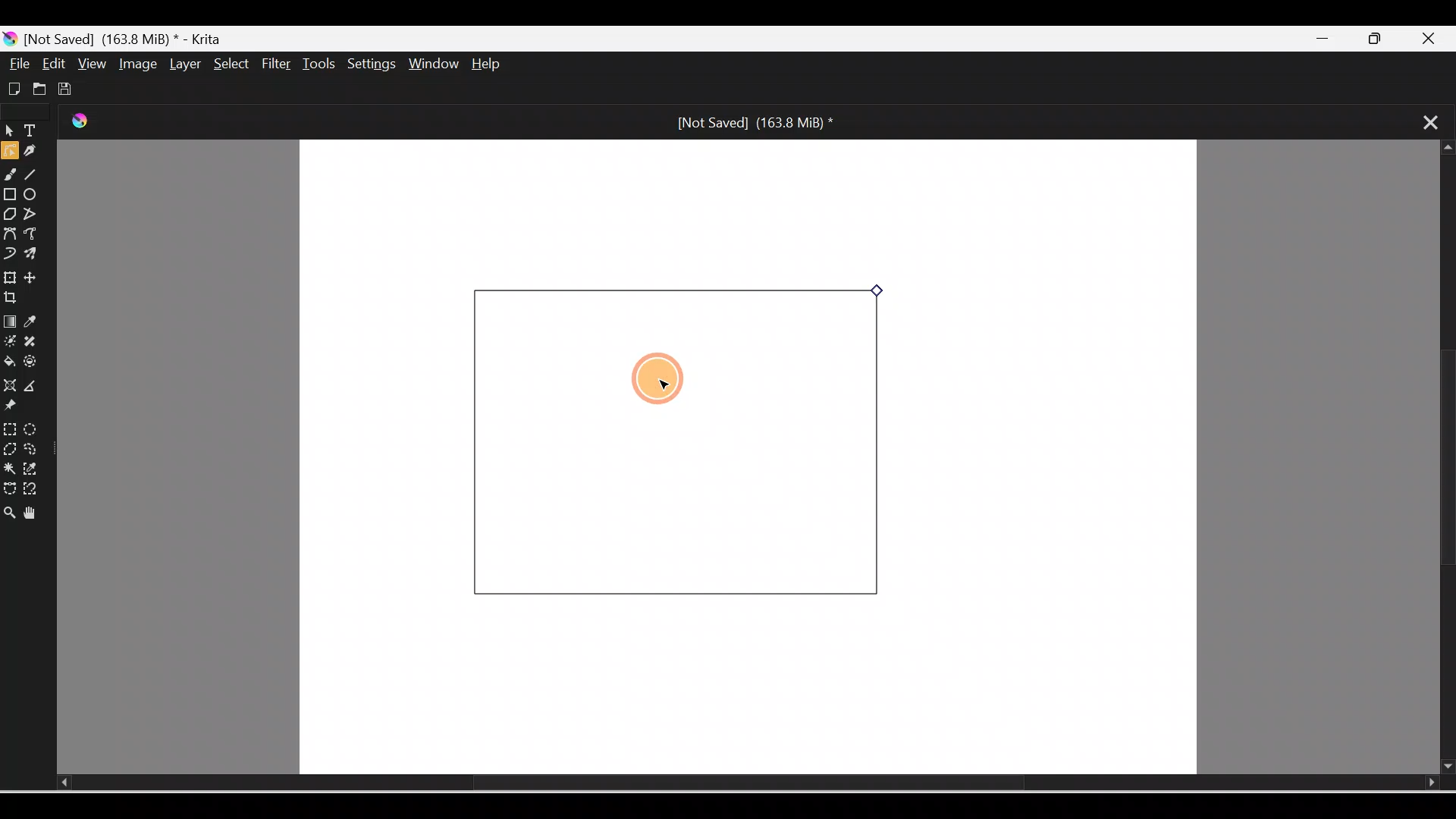 This screenshot has width=1456, height=819. What do you see at coordinates (10, 342) in the screenshot?
I see `Colorize mask tool` at bounding box center [10, 342].